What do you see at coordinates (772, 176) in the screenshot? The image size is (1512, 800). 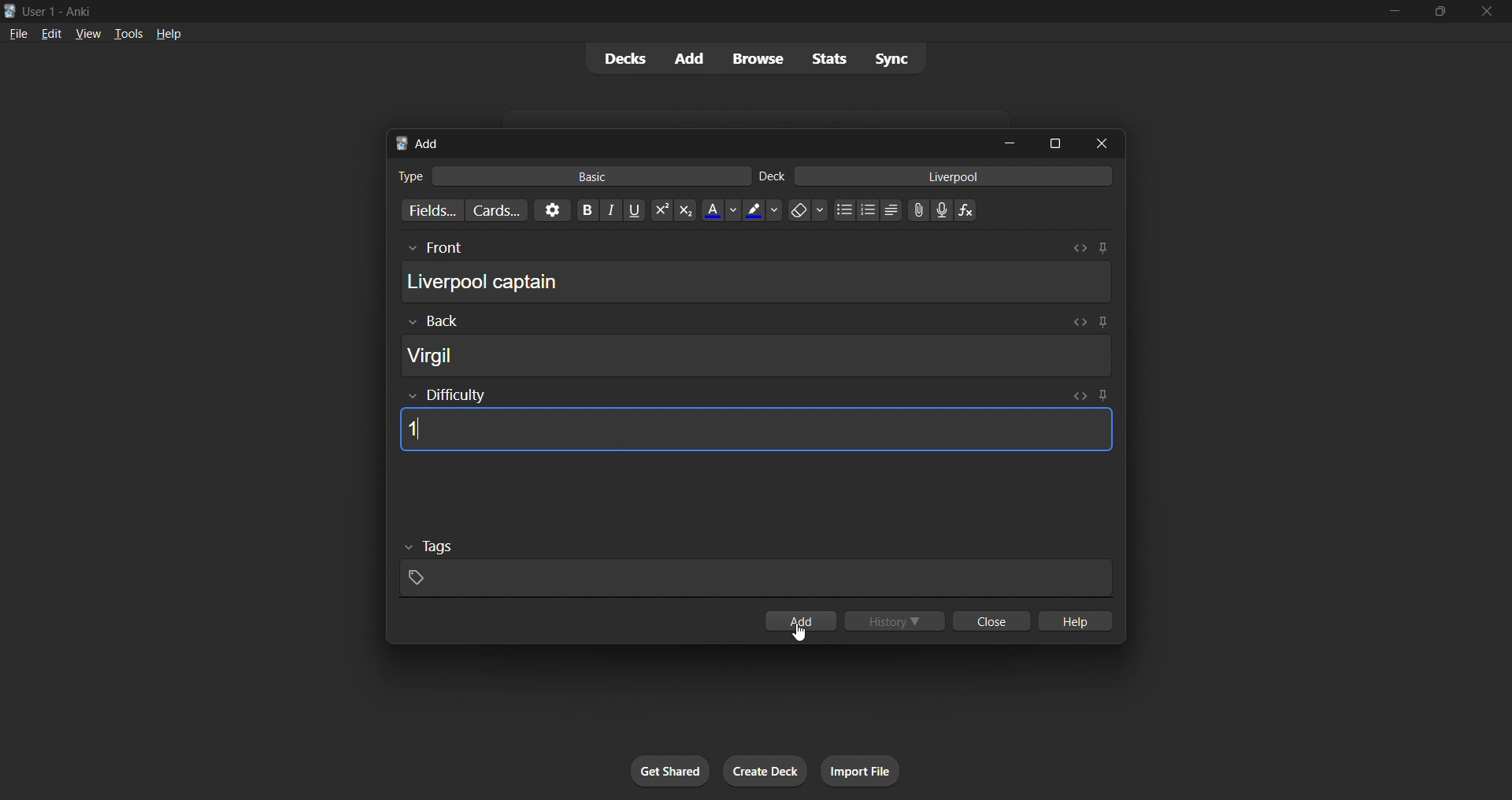 I see `Text` at bounding box center [772, 176].